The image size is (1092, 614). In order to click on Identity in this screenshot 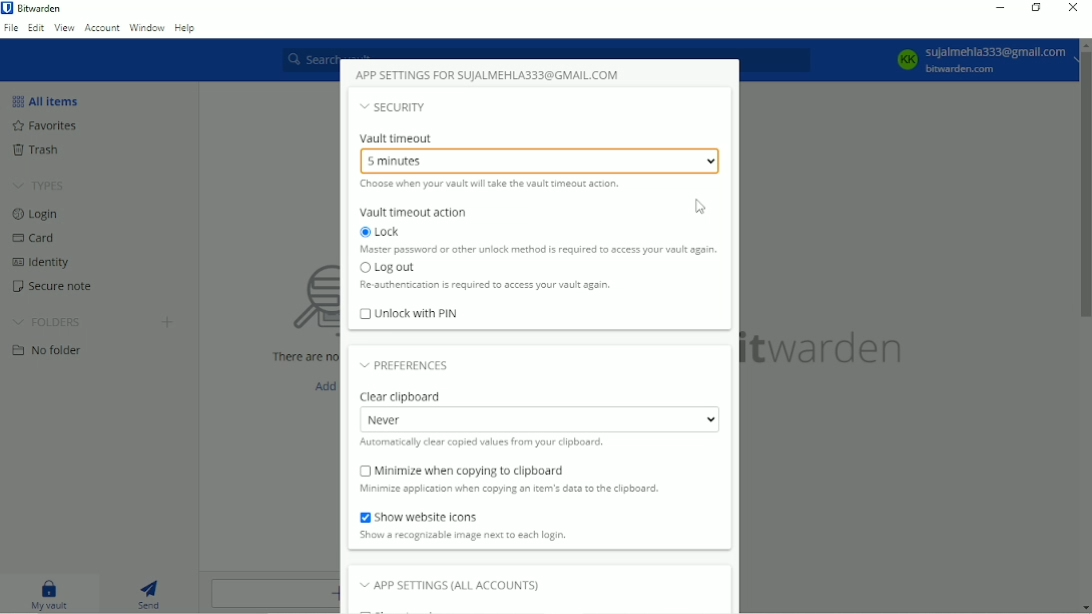, I will do `click(43, 263)`.